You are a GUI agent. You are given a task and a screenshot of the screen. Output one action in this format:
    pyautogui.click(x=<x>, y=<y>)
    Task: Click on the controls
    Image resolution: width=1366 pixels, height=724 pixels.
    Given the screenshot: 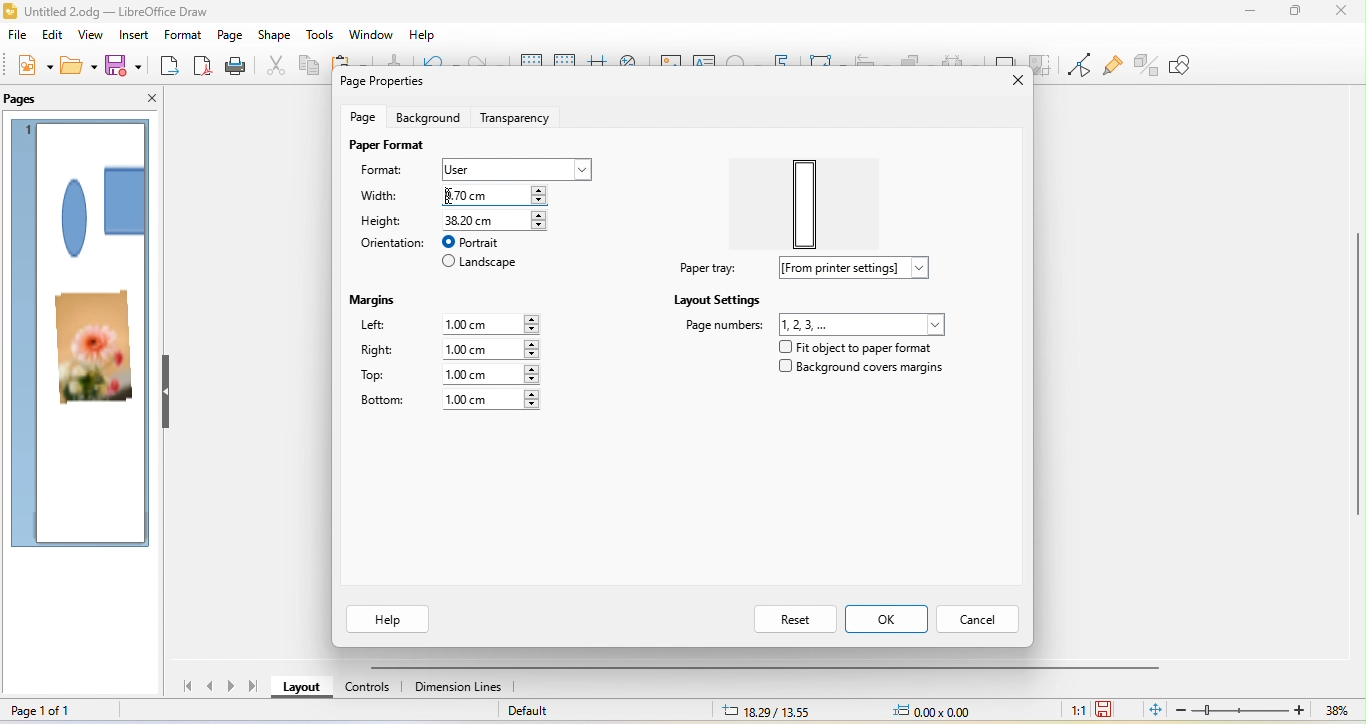 What is the action you would take?
    pyautogui.click(x=363, y=692)
    